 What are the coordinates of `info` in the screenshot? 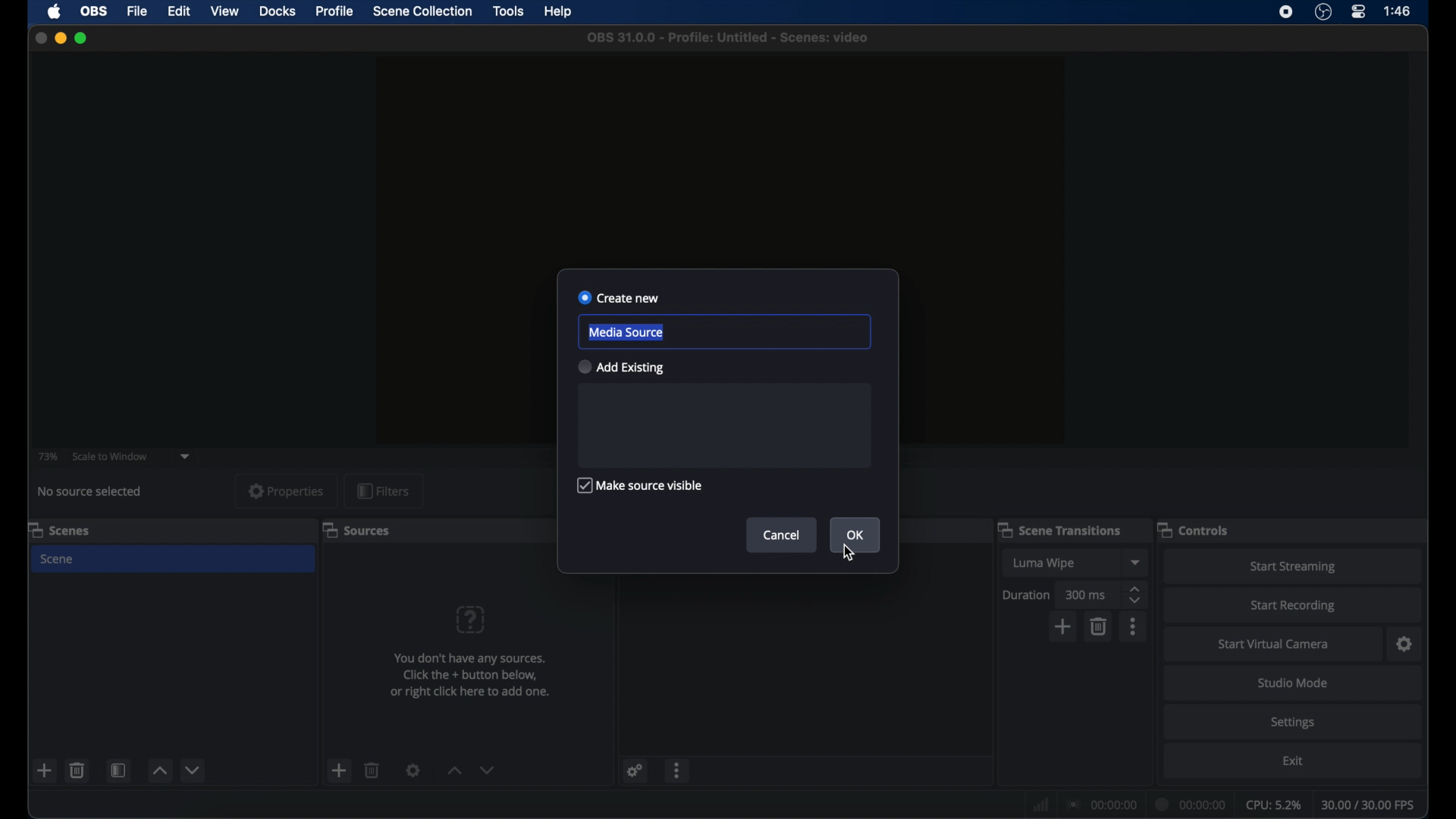 It's located at (472, 676).